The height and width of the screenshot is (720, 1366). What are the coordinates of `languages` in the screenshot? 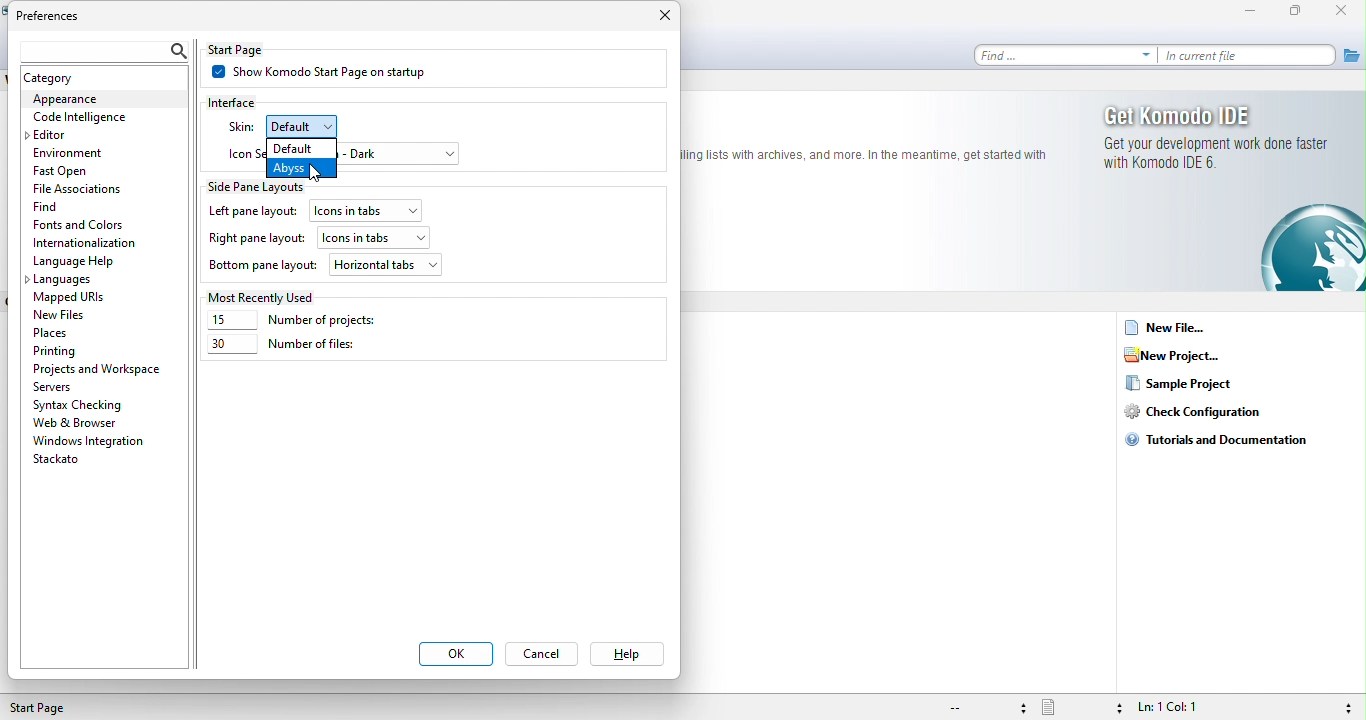 It's located at (64, 281).